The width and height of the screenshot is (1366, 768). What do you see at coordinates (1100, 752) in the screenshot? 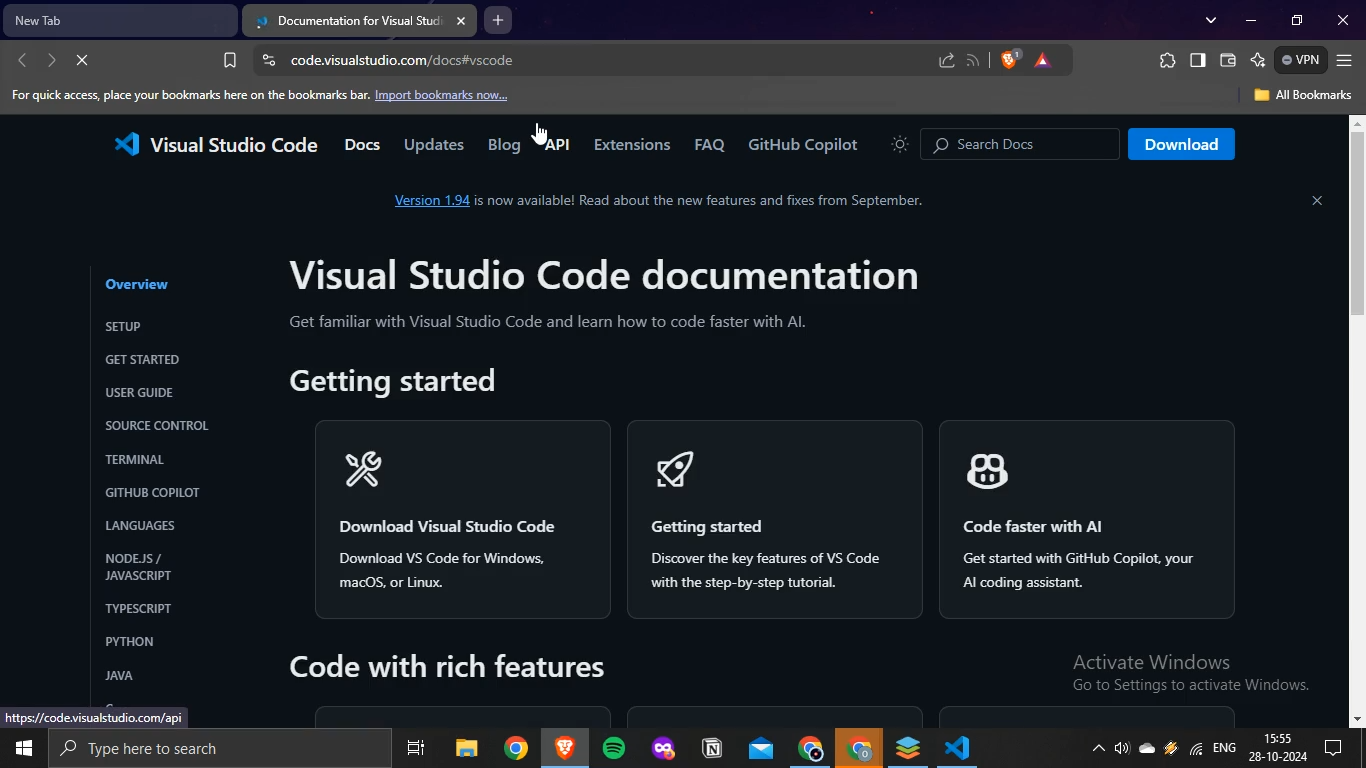
I see `show hidden icons` at bounding box center [1100, 752].